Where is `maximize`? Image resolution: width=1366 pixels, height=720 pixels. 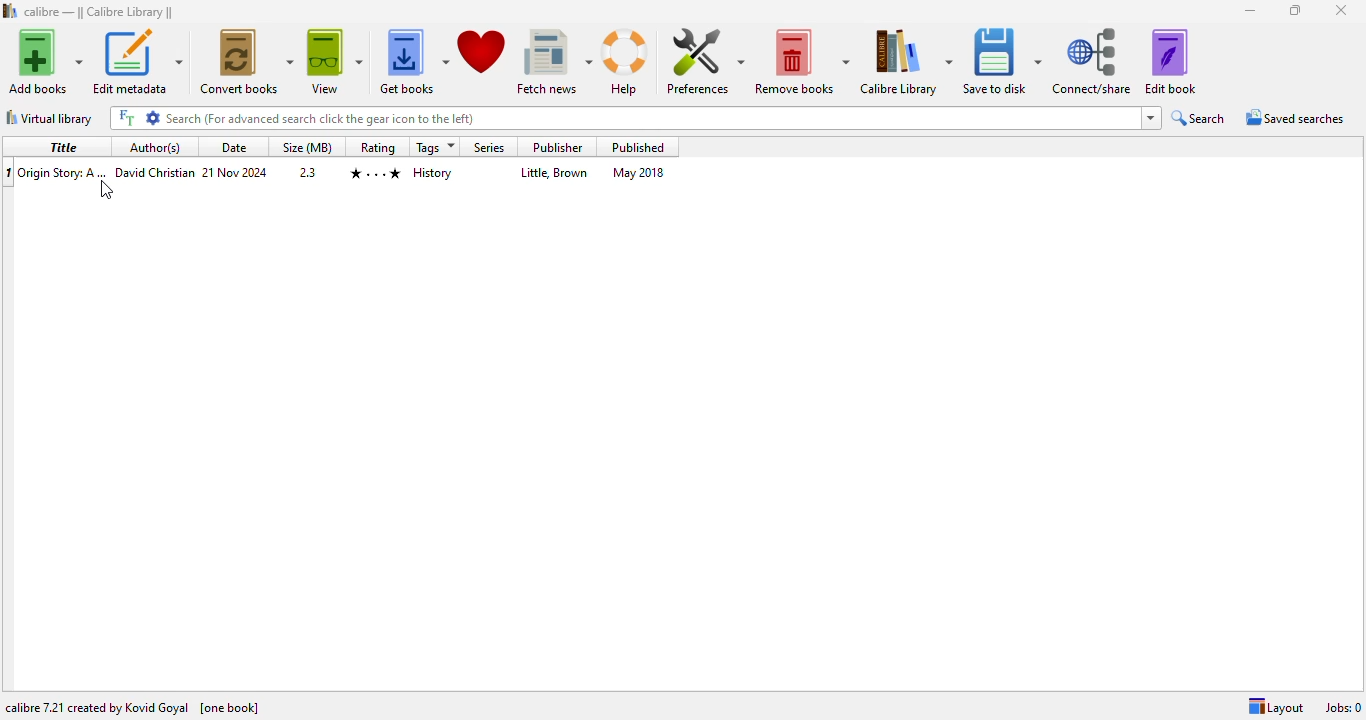 maximize is located at coordinates (1296, 10).